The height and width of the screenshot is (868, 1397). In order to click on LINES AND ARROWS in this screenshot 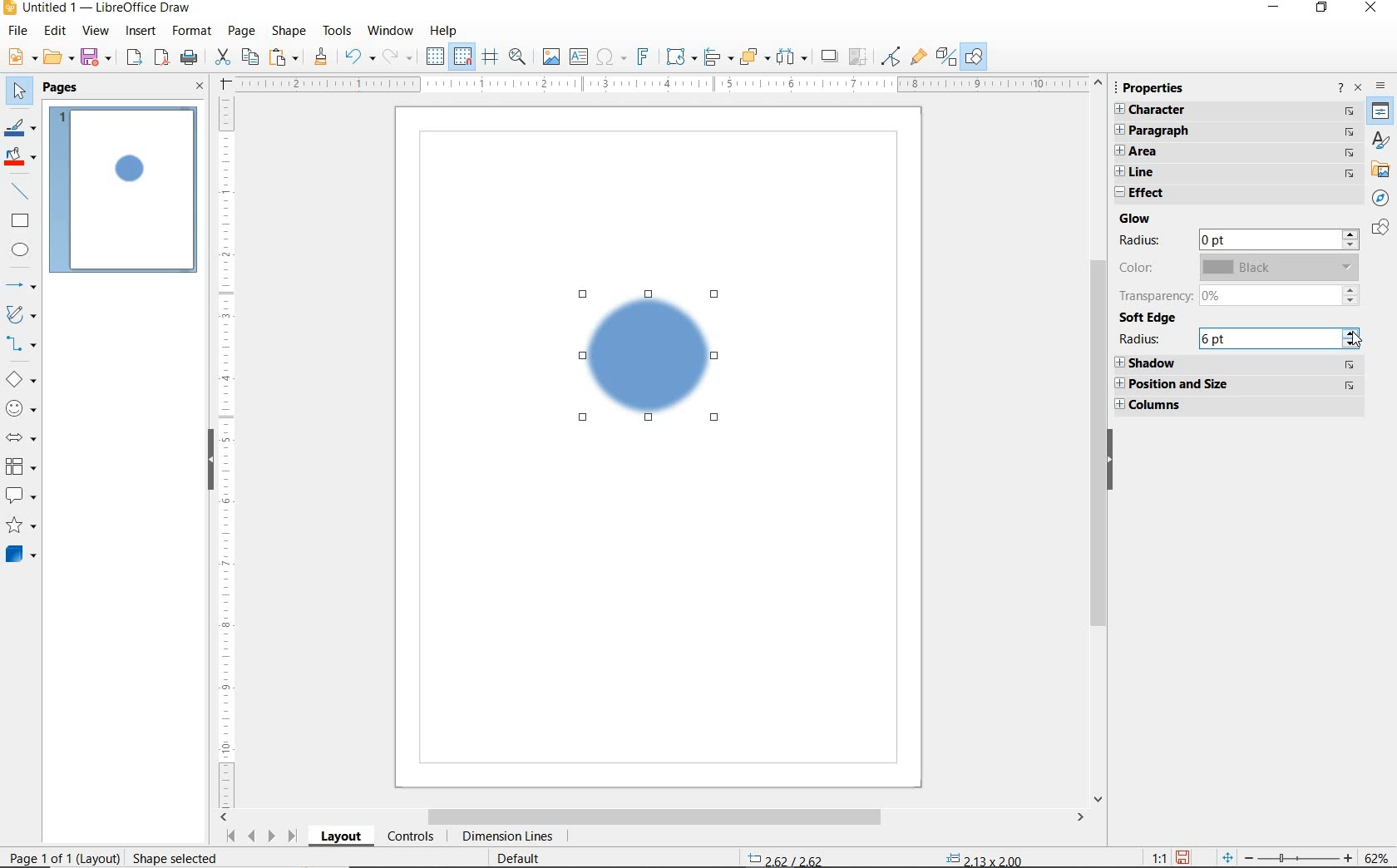, I will do `click(23, 283)`.